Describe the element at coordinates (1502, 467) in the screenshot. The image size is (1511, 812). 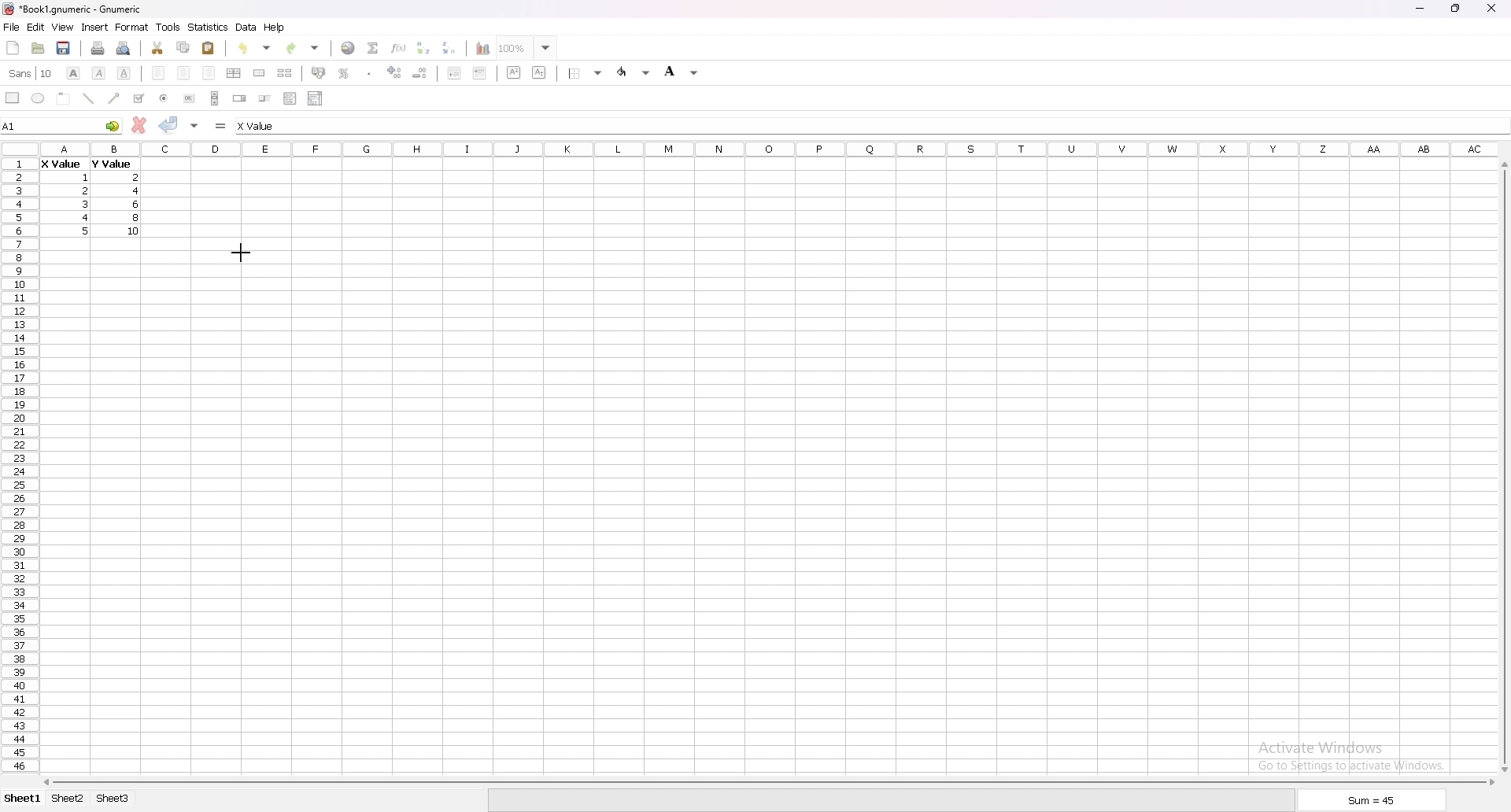
I see `scroll bar` at that location.